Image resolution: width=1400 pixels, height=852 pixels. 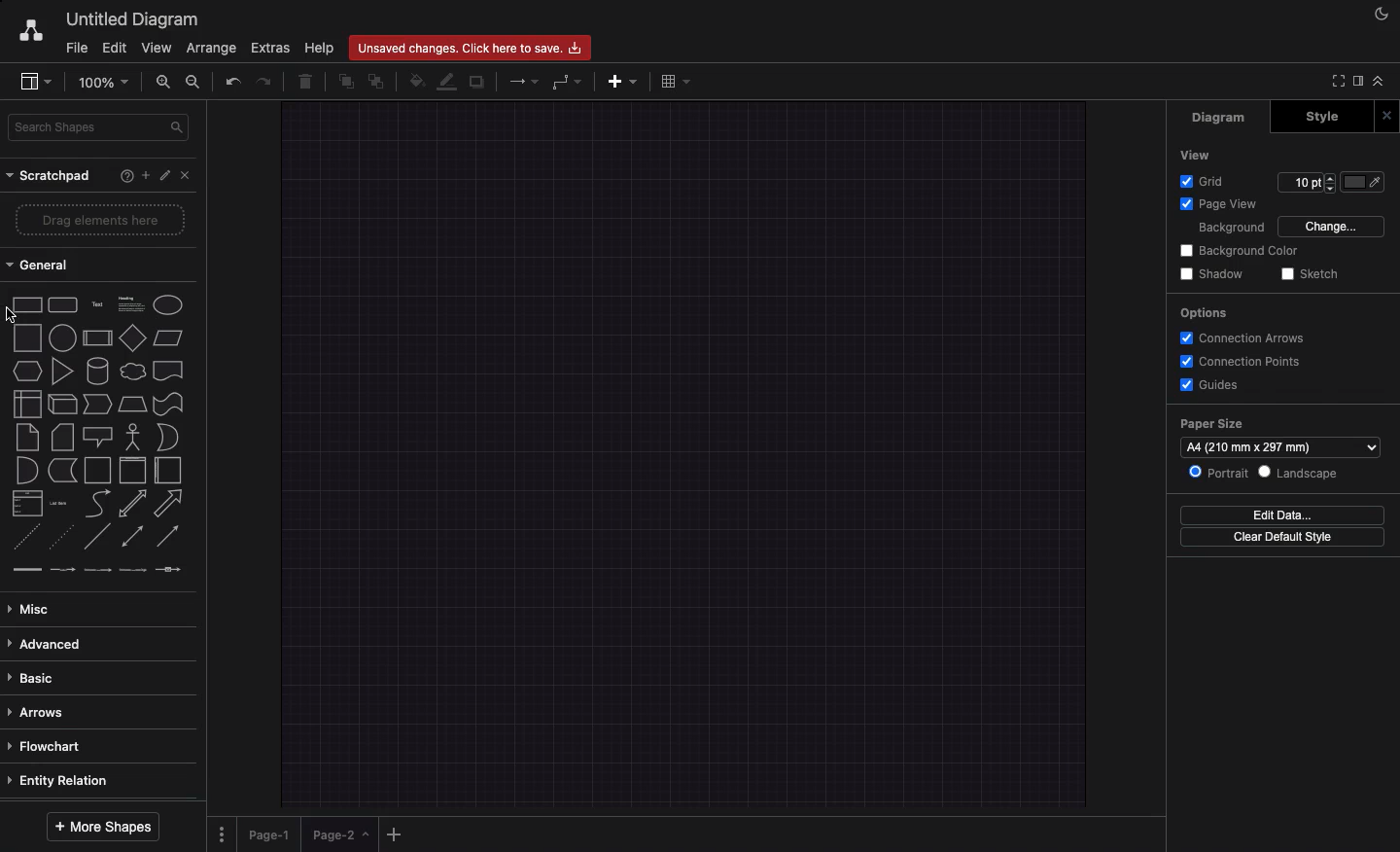 What do you see at coordinates (131, 471) in the screenshot?
I see `vertical container` at bounding box center [131, 471].